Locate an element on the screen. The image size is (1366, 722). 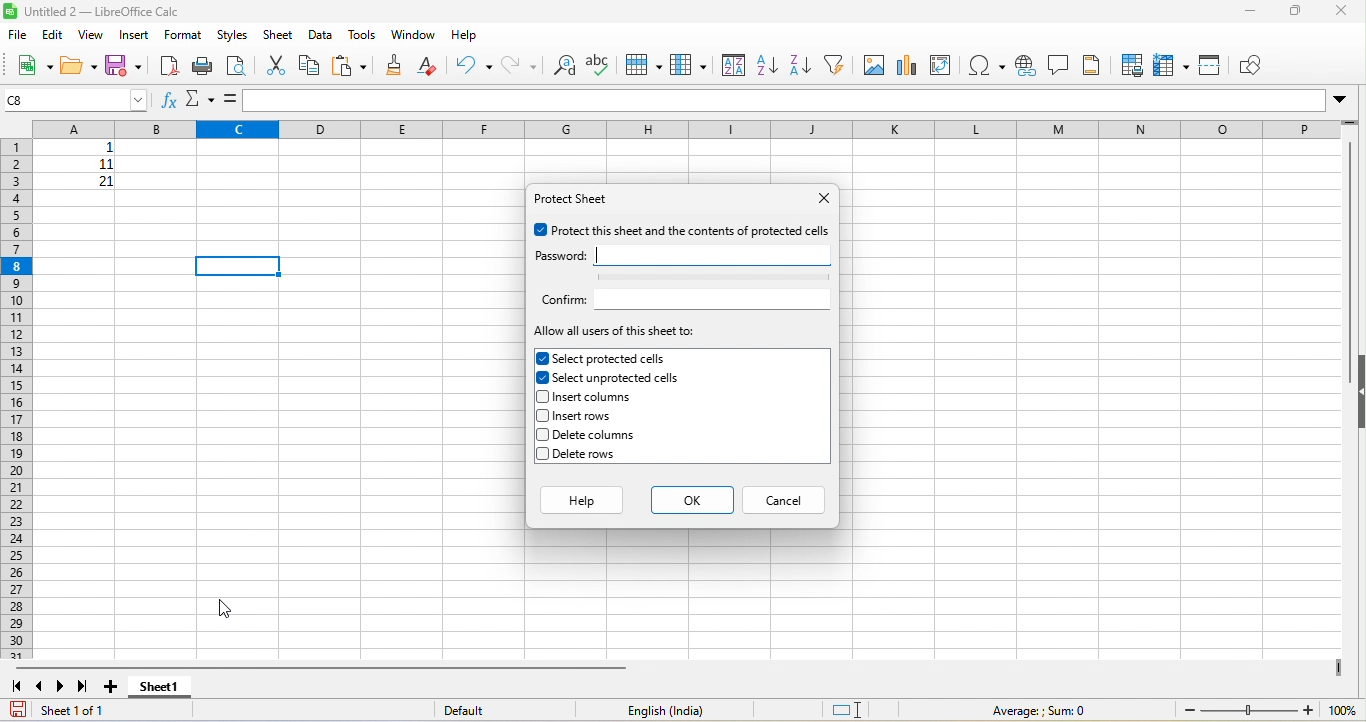
protect sheet is located at coordinates (578, 201).